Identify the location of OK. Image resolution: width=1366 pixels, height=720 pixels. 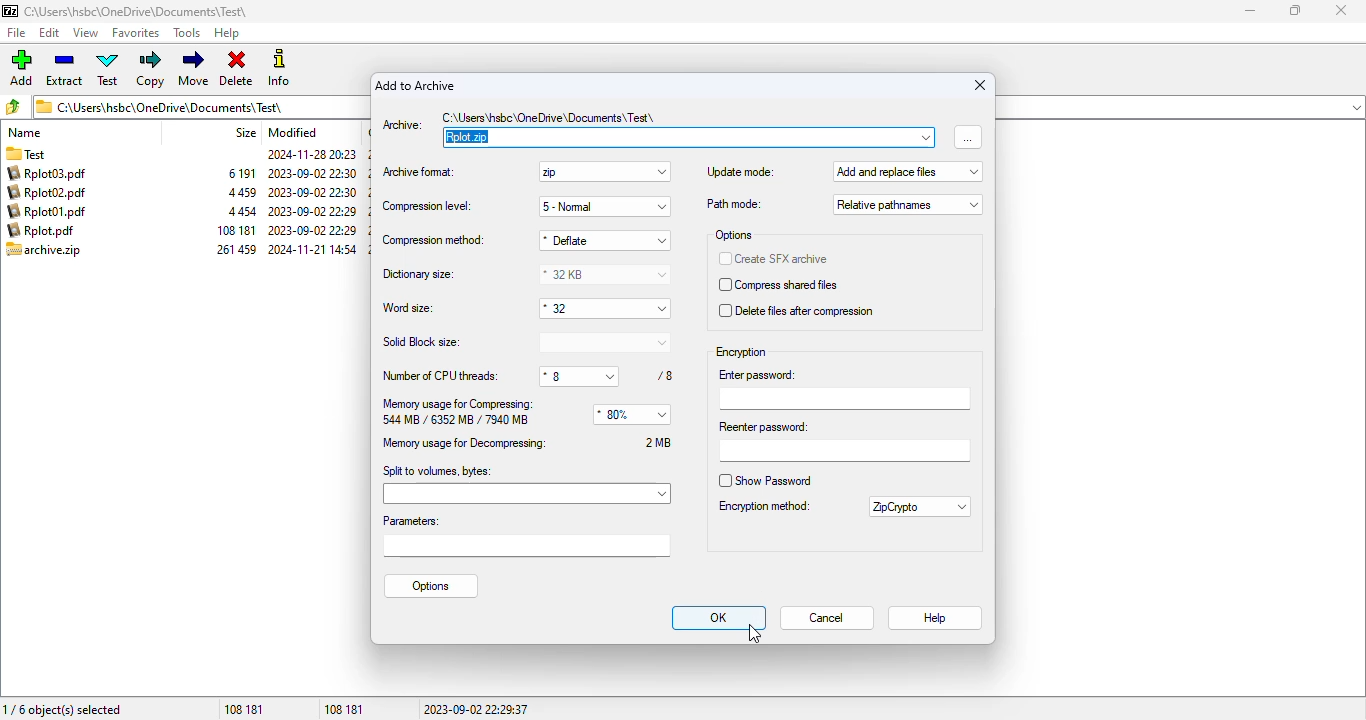
(718, 617).